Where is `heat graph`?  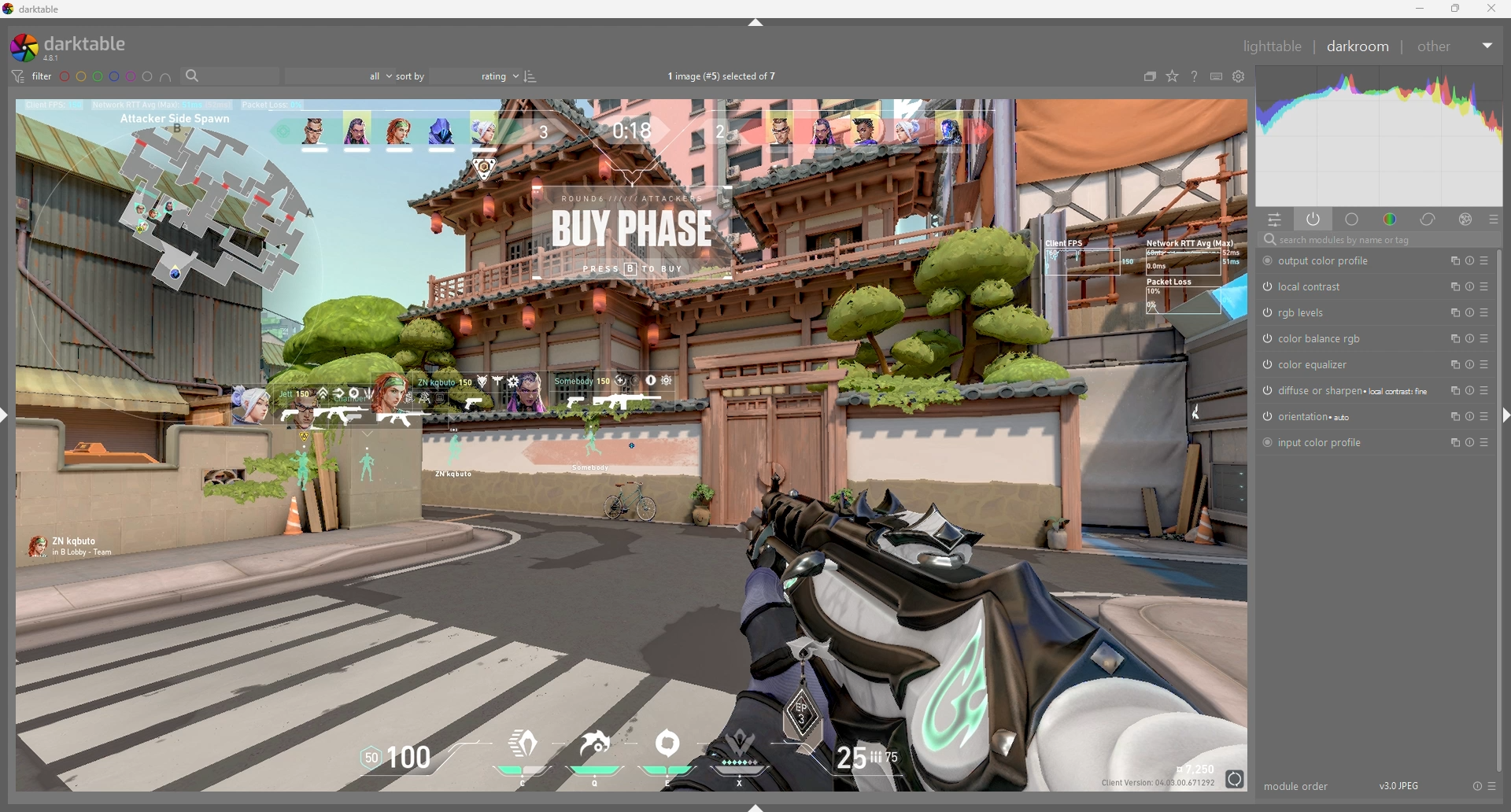
heat graph is located at coordinates (1380, 136).